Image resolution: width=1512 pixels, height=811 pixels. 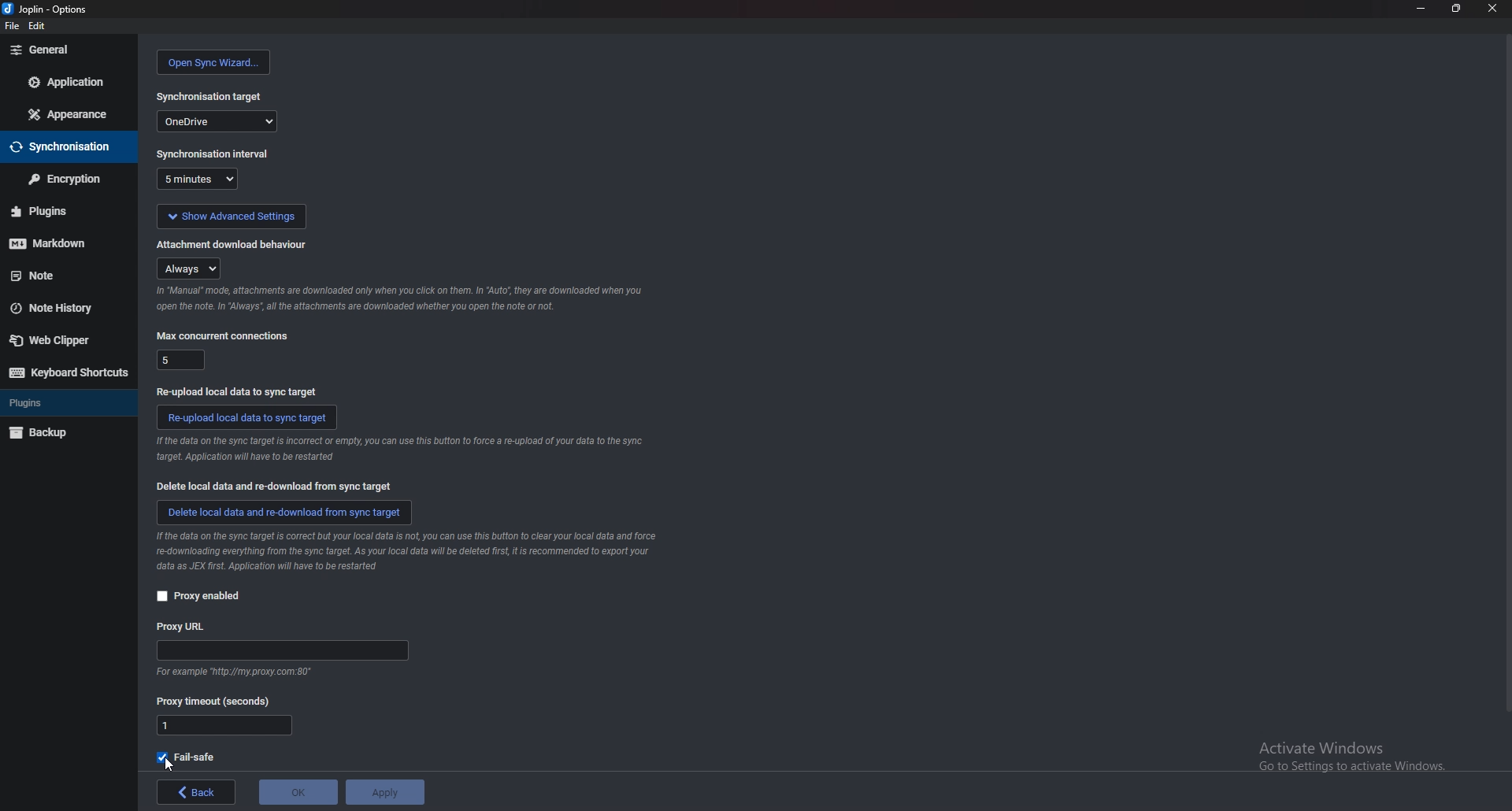 I want to click on proxy url, so click(x=282, y=651).